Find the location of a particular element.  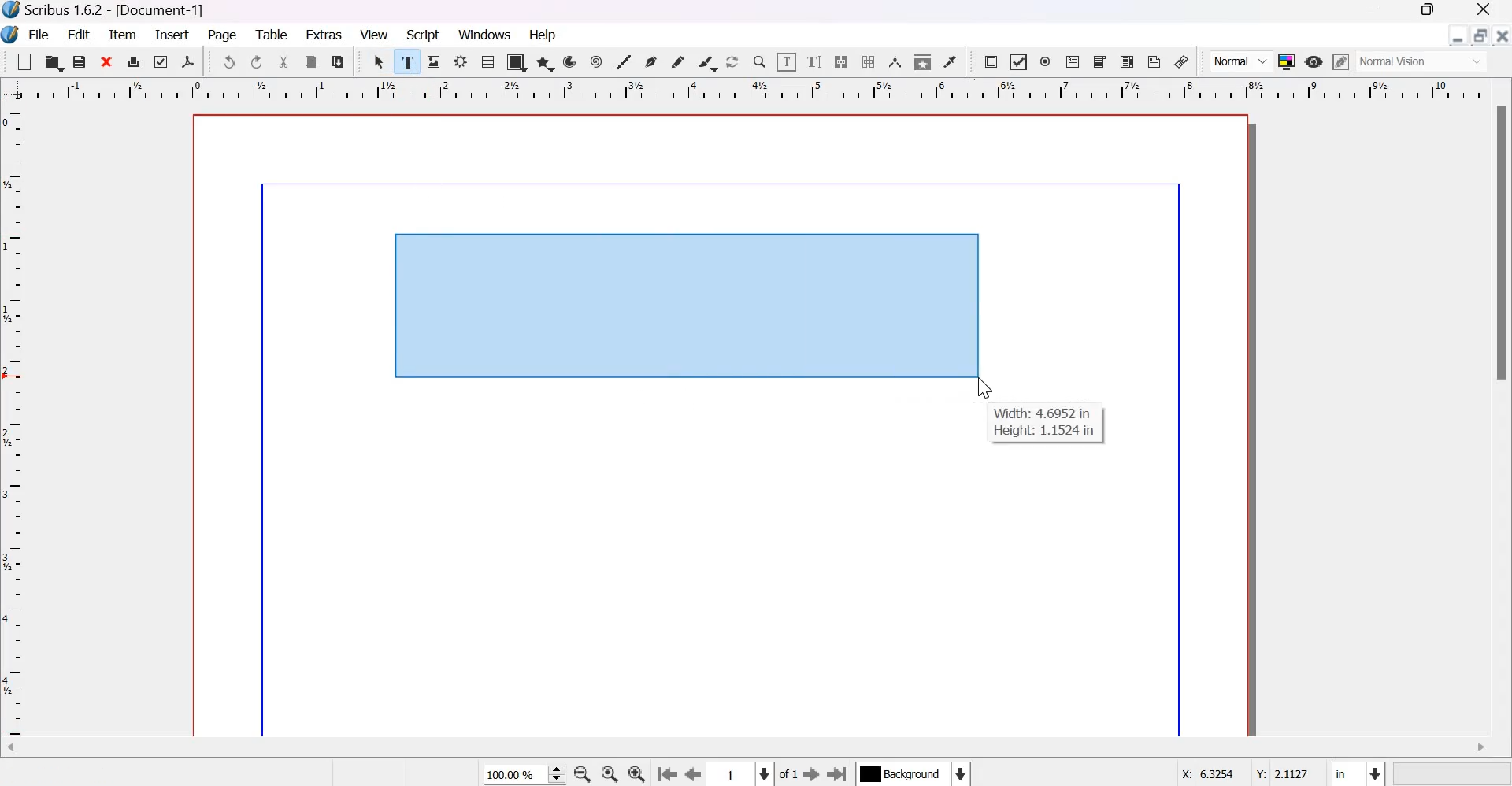

View is located at coordinates (374, 35).